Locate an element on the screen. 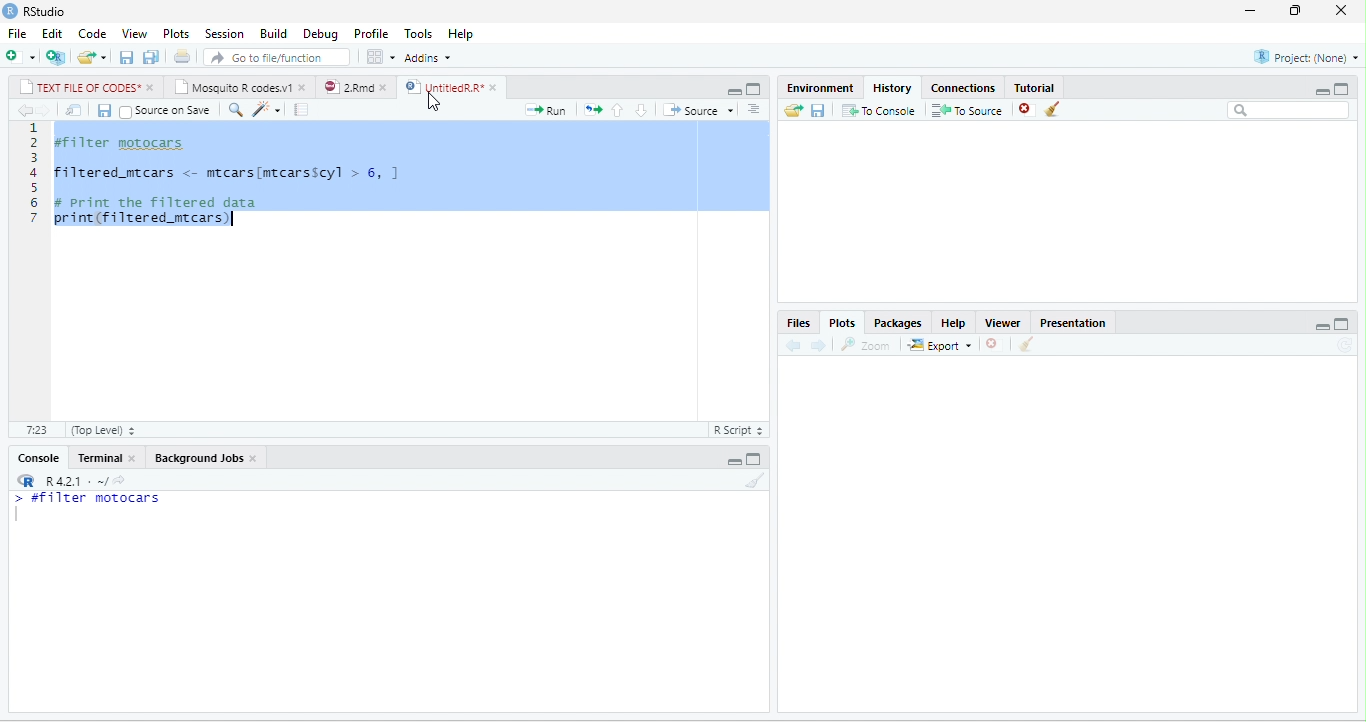 The image size is (1366, 722). minimize is located at coordinates (734, 461).